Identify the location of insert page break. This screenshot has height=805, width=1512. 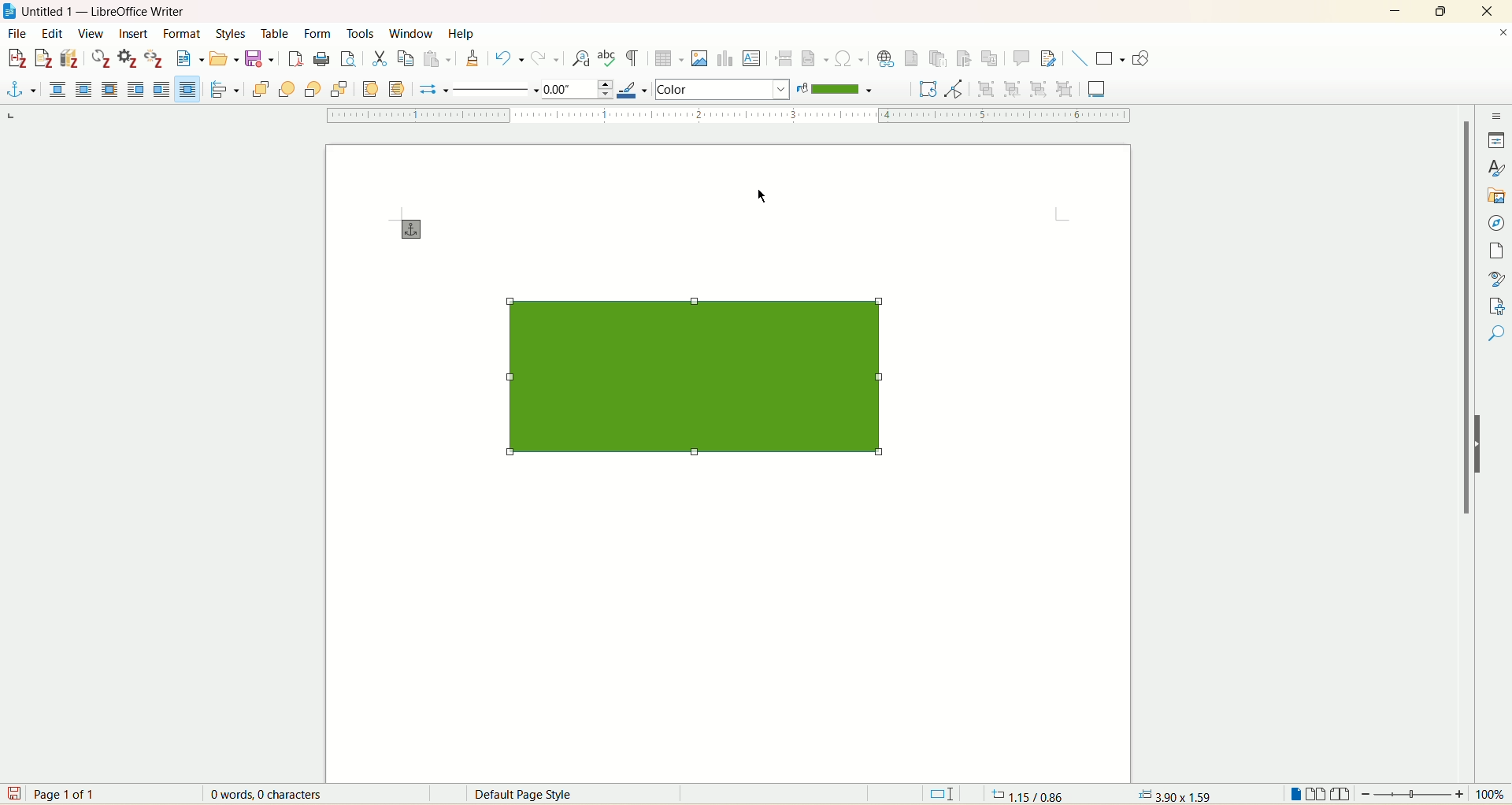
(784, 57).